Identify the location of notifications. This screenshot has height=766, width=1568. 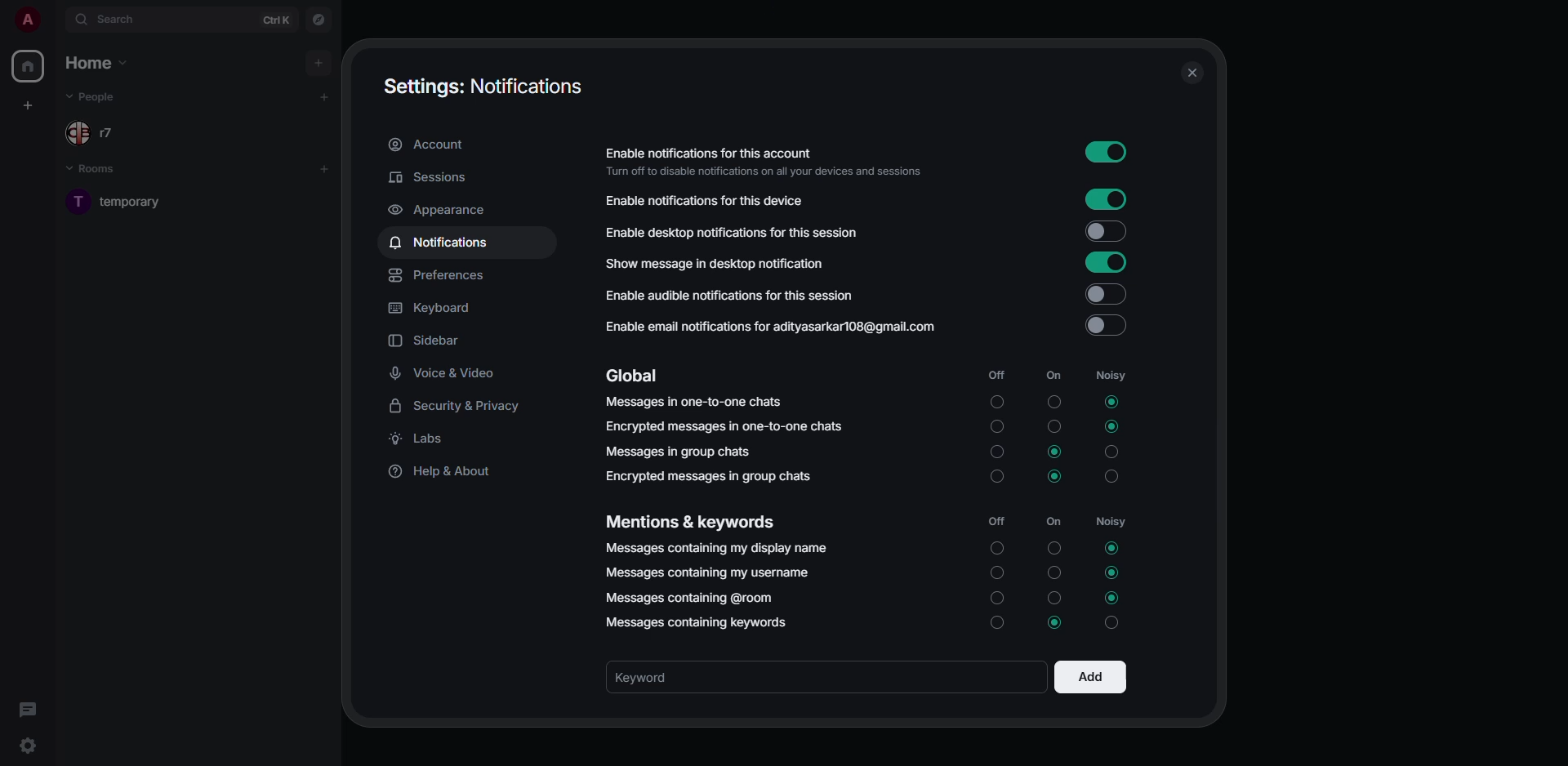
(442, 243).